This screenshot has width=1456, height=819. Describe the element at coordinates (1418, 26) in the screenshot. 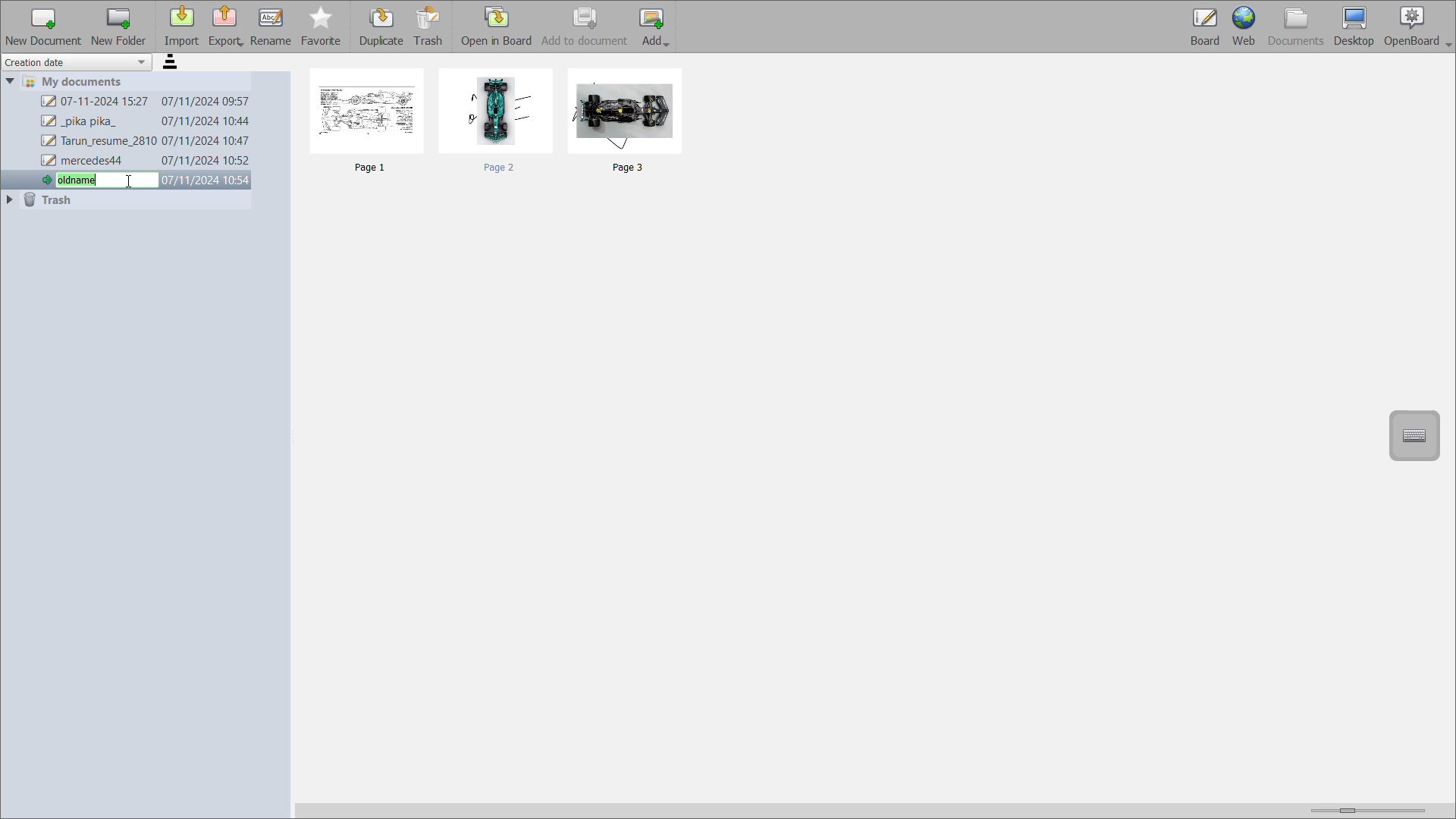

I see `openboard` at that location.